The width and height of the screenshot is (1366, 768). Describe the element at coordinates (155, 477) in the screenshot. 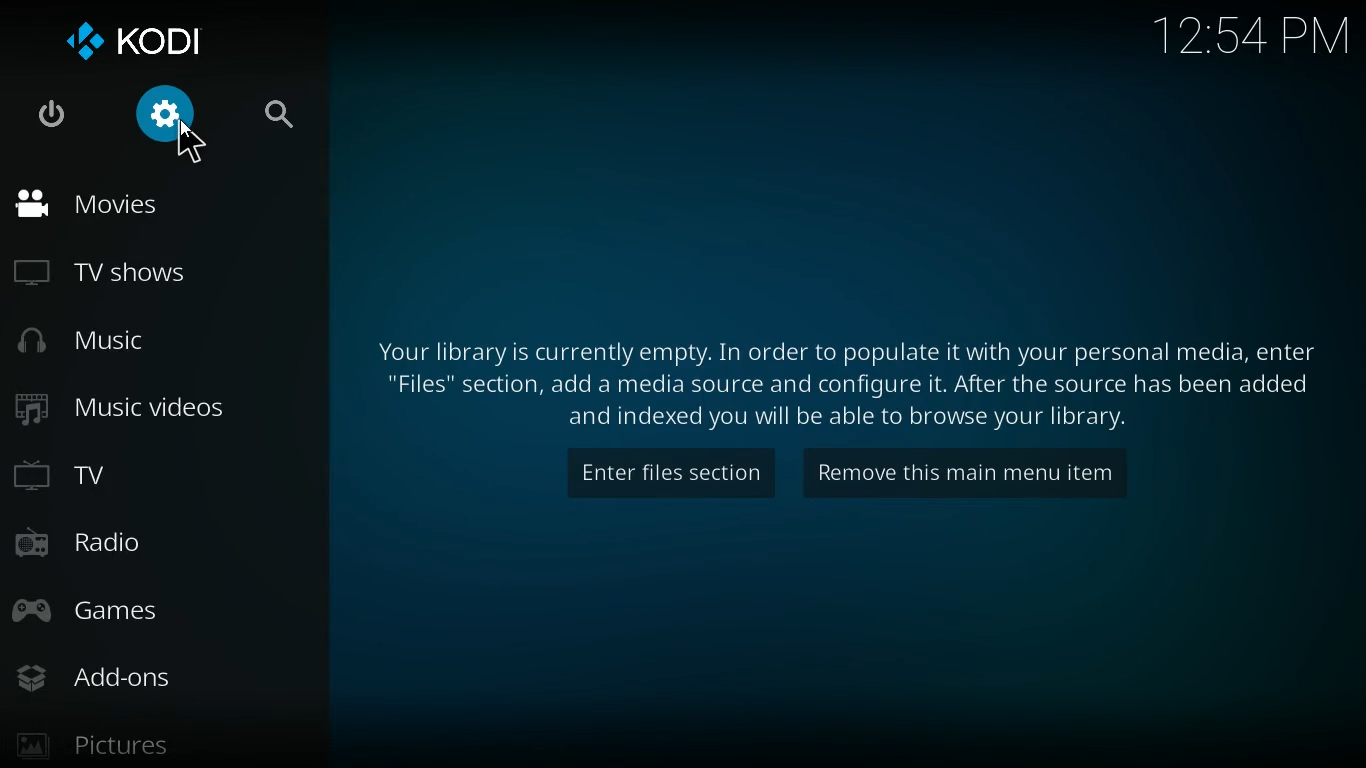

I see `tv` at that location.